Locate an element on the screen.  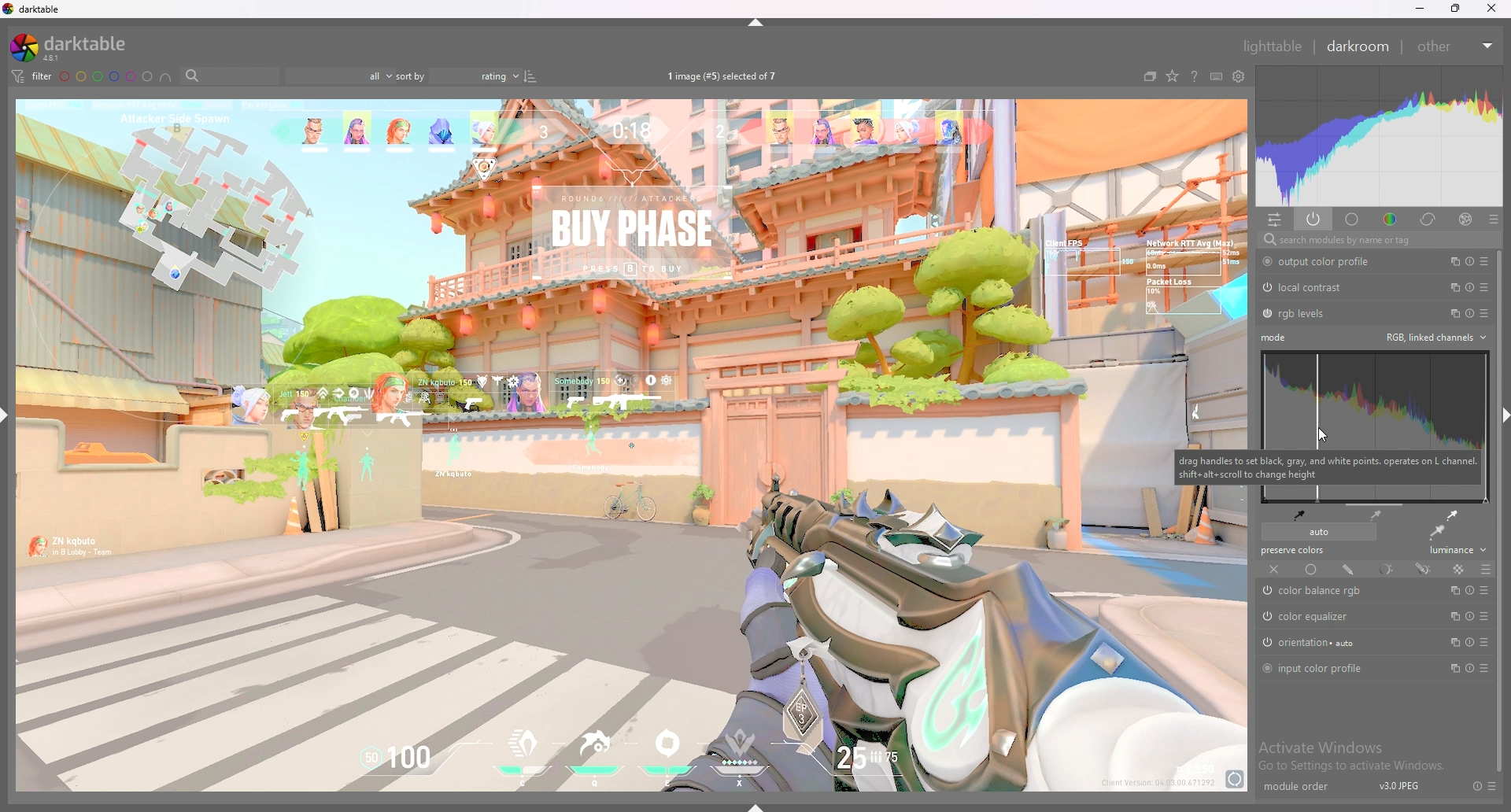
switched on is located at coordinates (1266, 262).